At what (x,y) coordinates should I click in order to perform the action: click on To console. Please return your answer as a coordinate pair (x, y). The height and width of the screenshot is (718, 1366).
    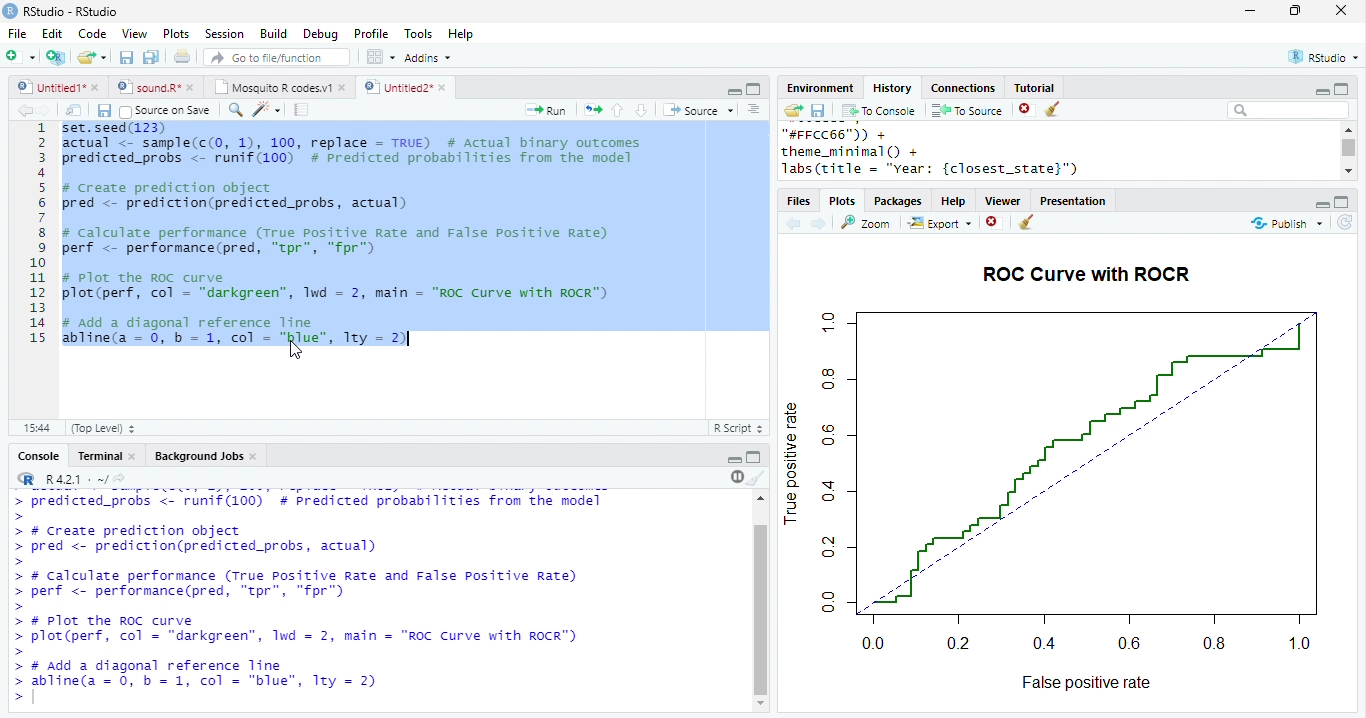
    Looking at the image, I should click on (879, 111).